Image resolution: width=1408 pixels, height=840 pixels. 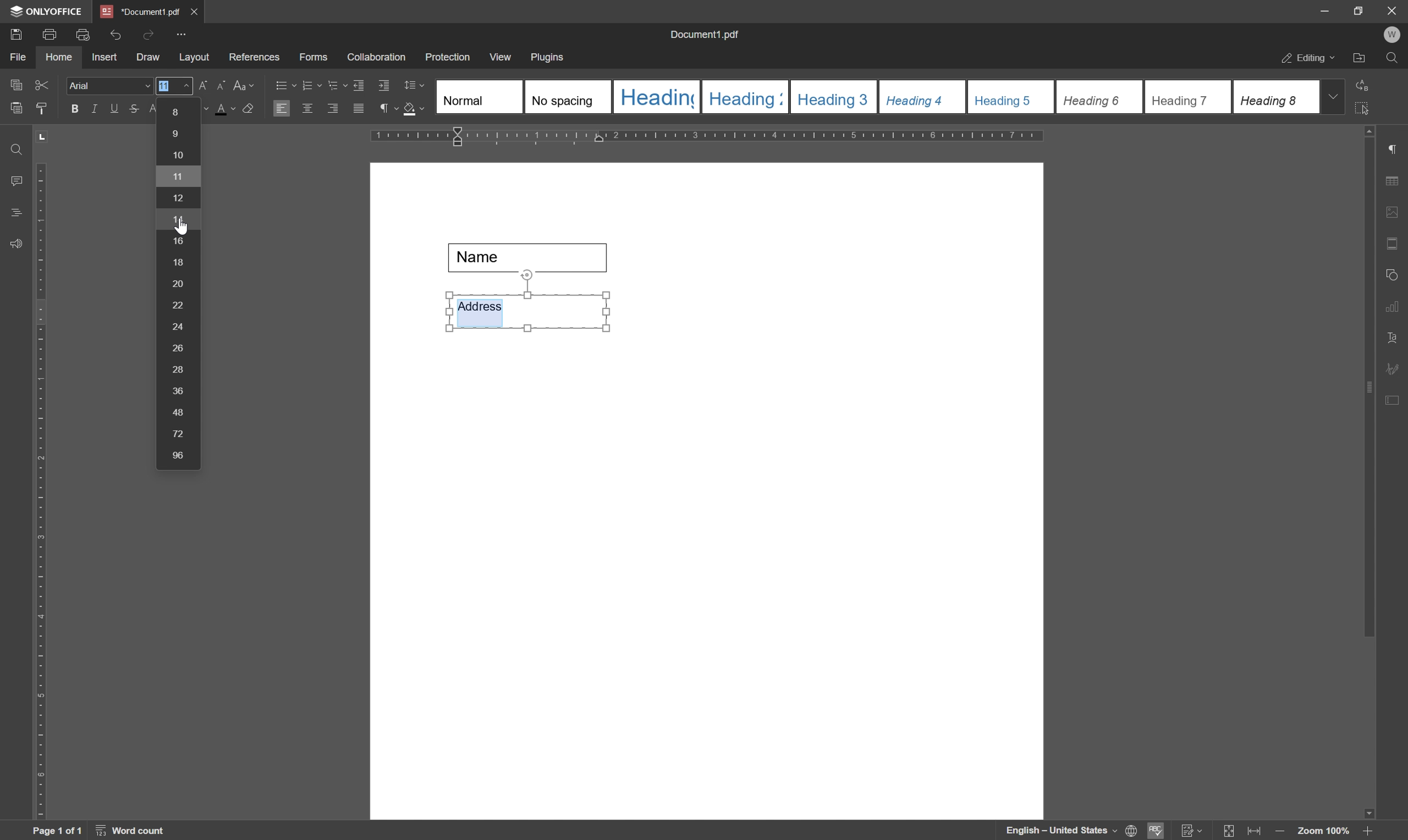 What do you see at coordinates (254, 57) in the screenshot?
I see `references` at bounding box center [254, 57].